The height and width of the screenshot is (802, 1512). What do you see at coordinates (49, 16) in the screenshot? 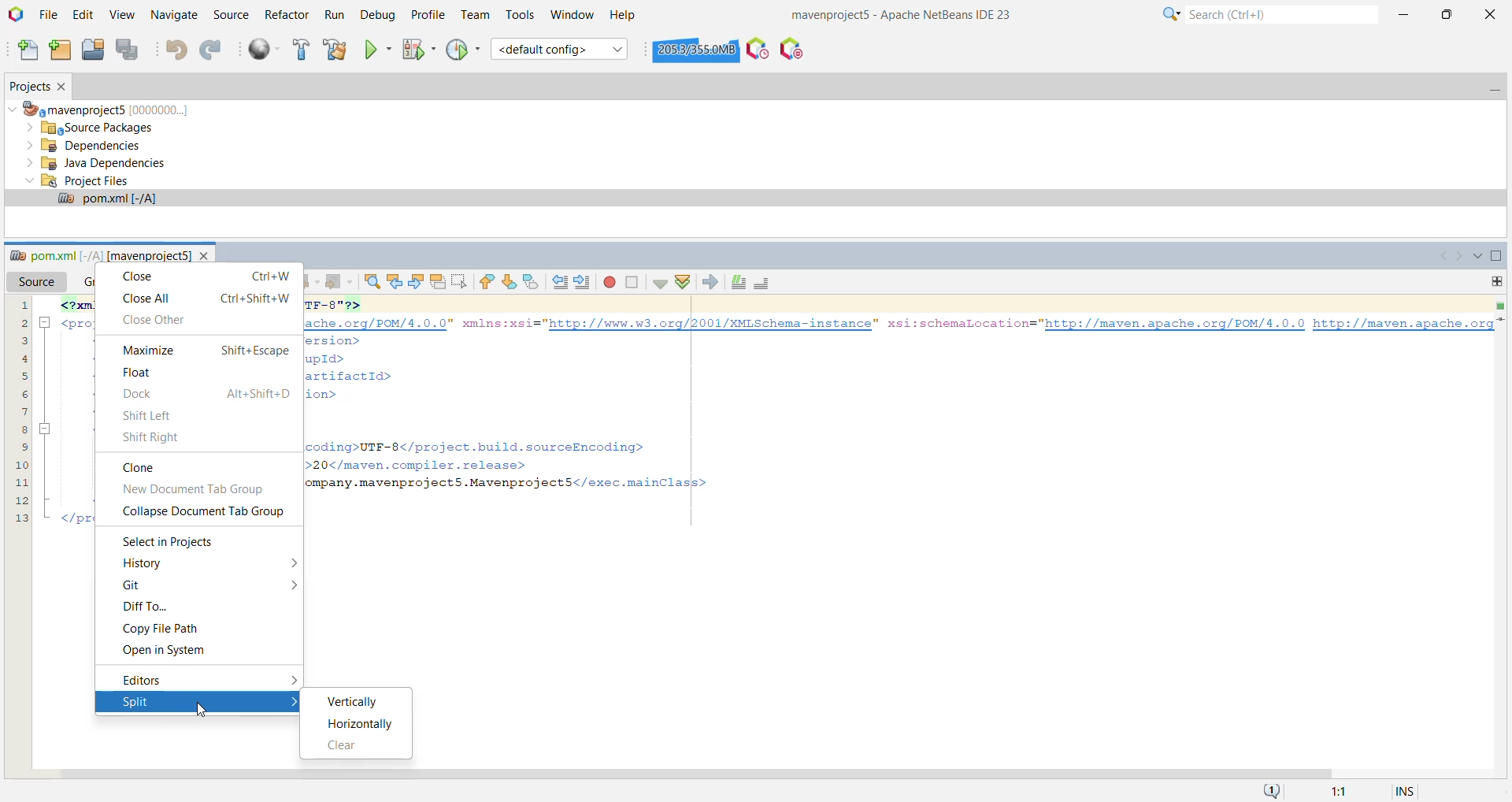
I see `File` at bounding box center [49, 16].